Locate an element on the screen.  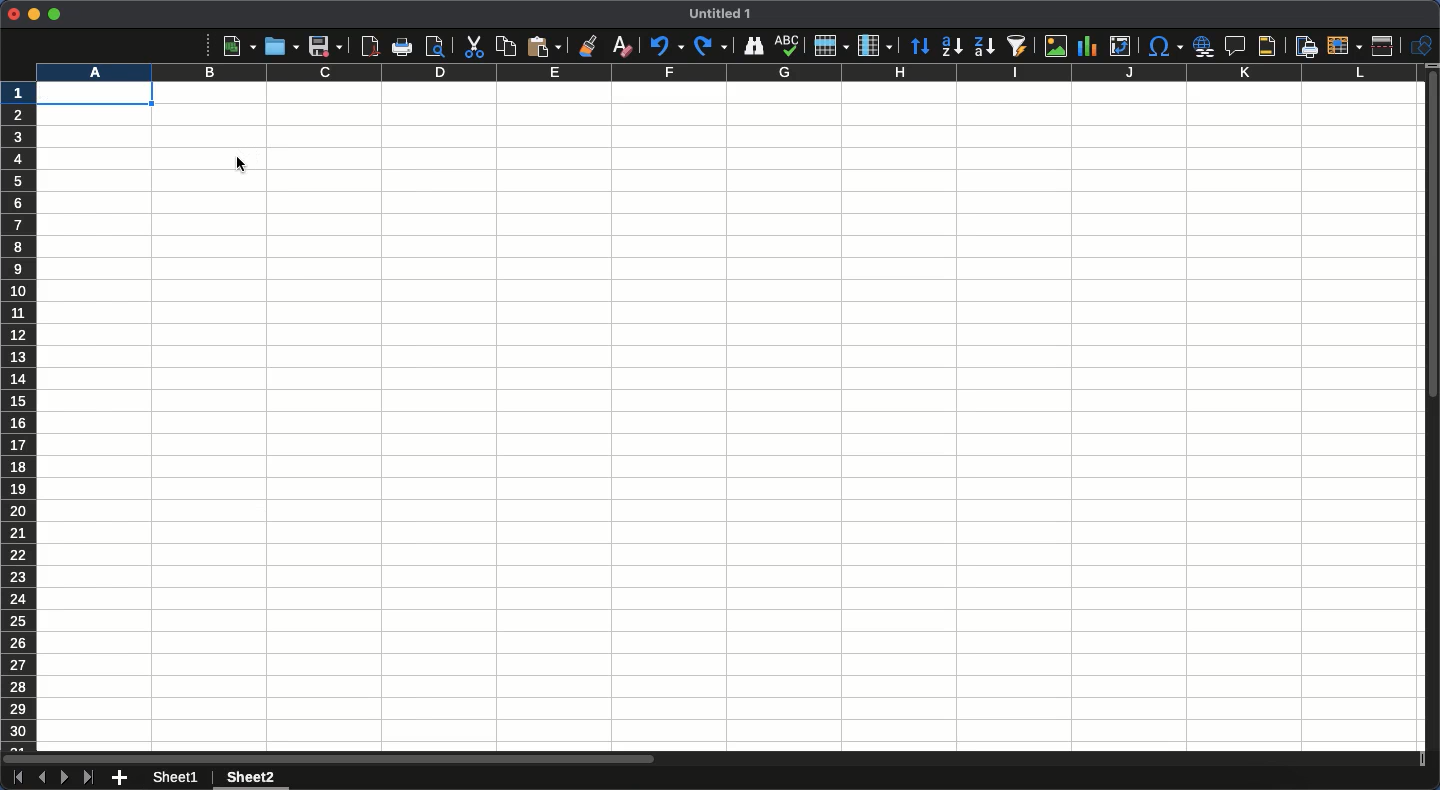
Sheet 2 is located at coordinates (248, 779).